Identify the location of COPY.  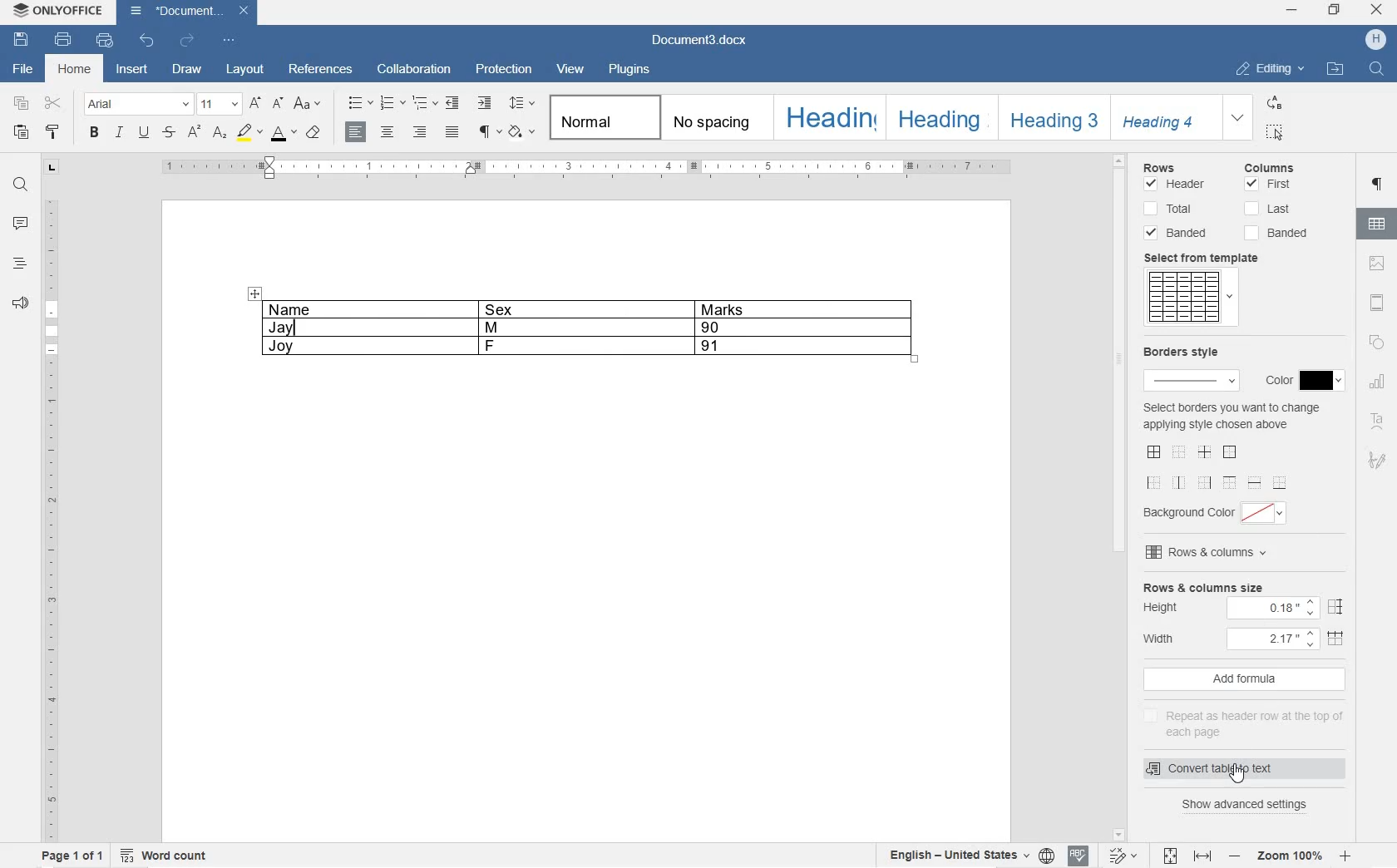
(21, 104).